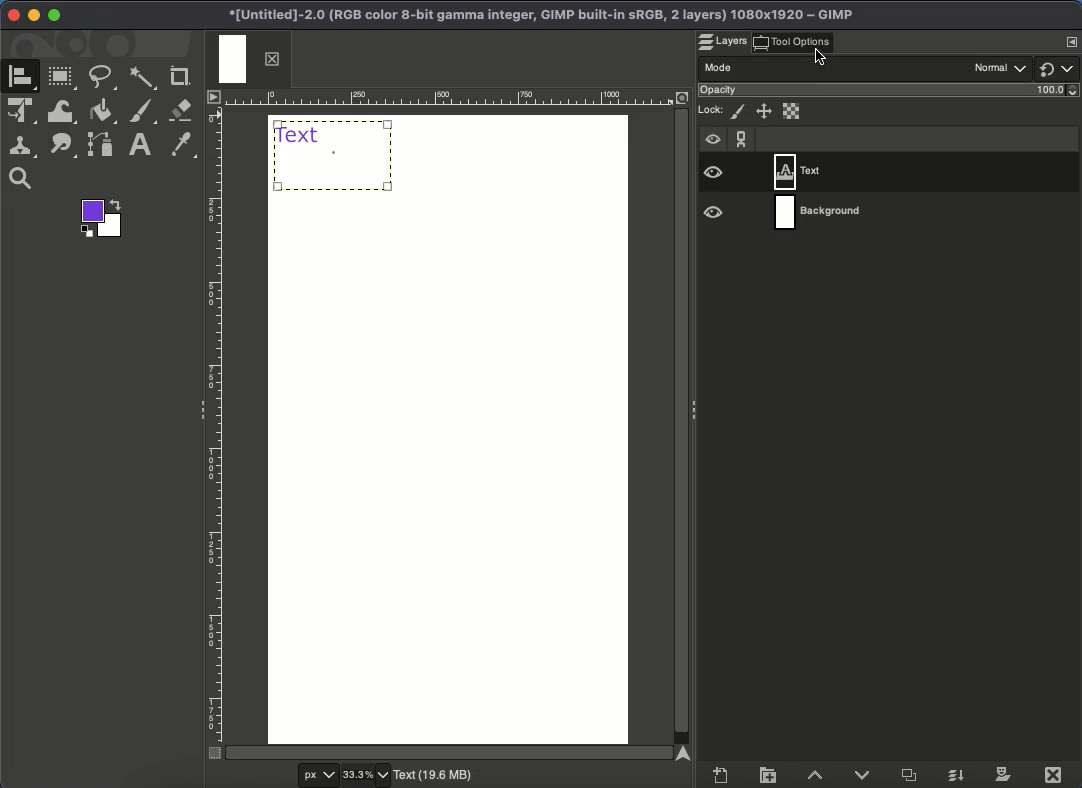 The height and width of the screenshot is (788, 1082). Describe the element at coordinates (1001, 67) in the screenshot. I see `Normal` at that location.